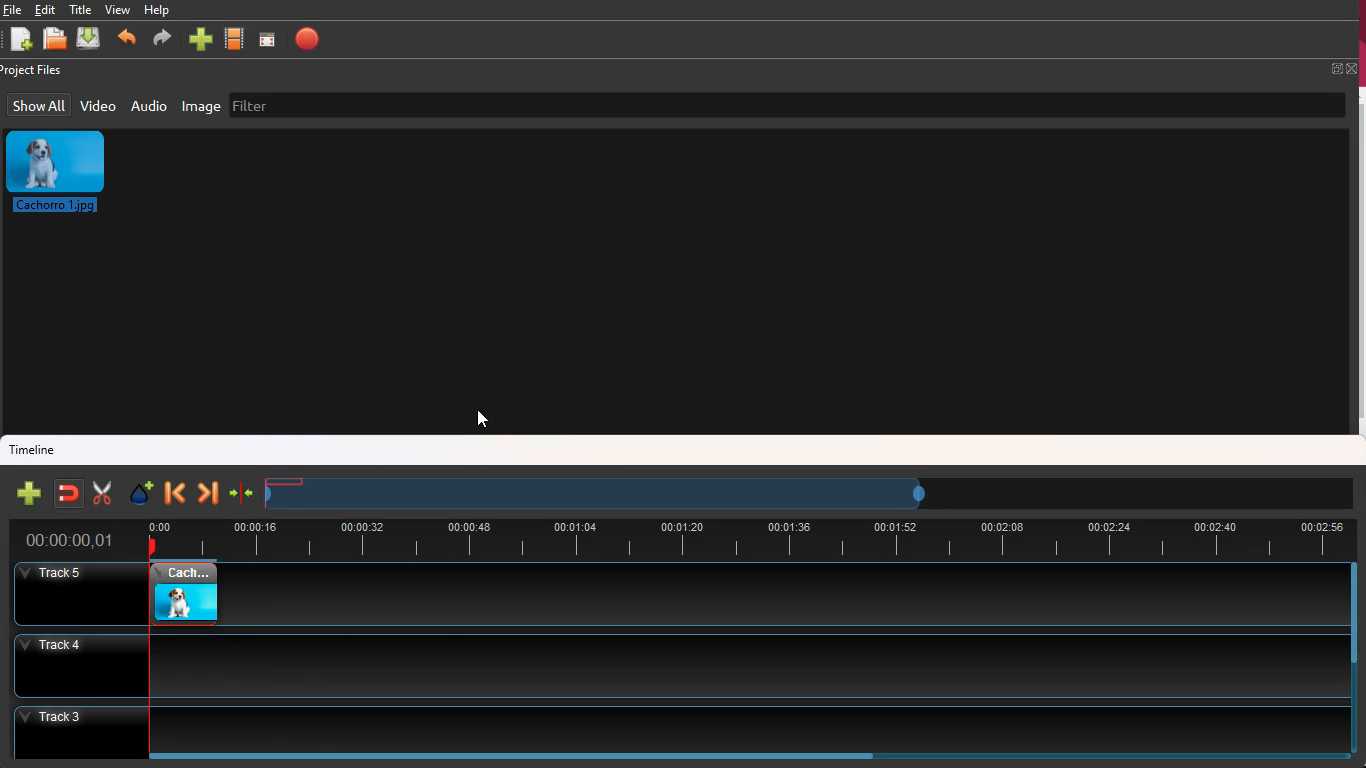 The image size is (1366, 768). I want to click on forward, so click(209, 490).